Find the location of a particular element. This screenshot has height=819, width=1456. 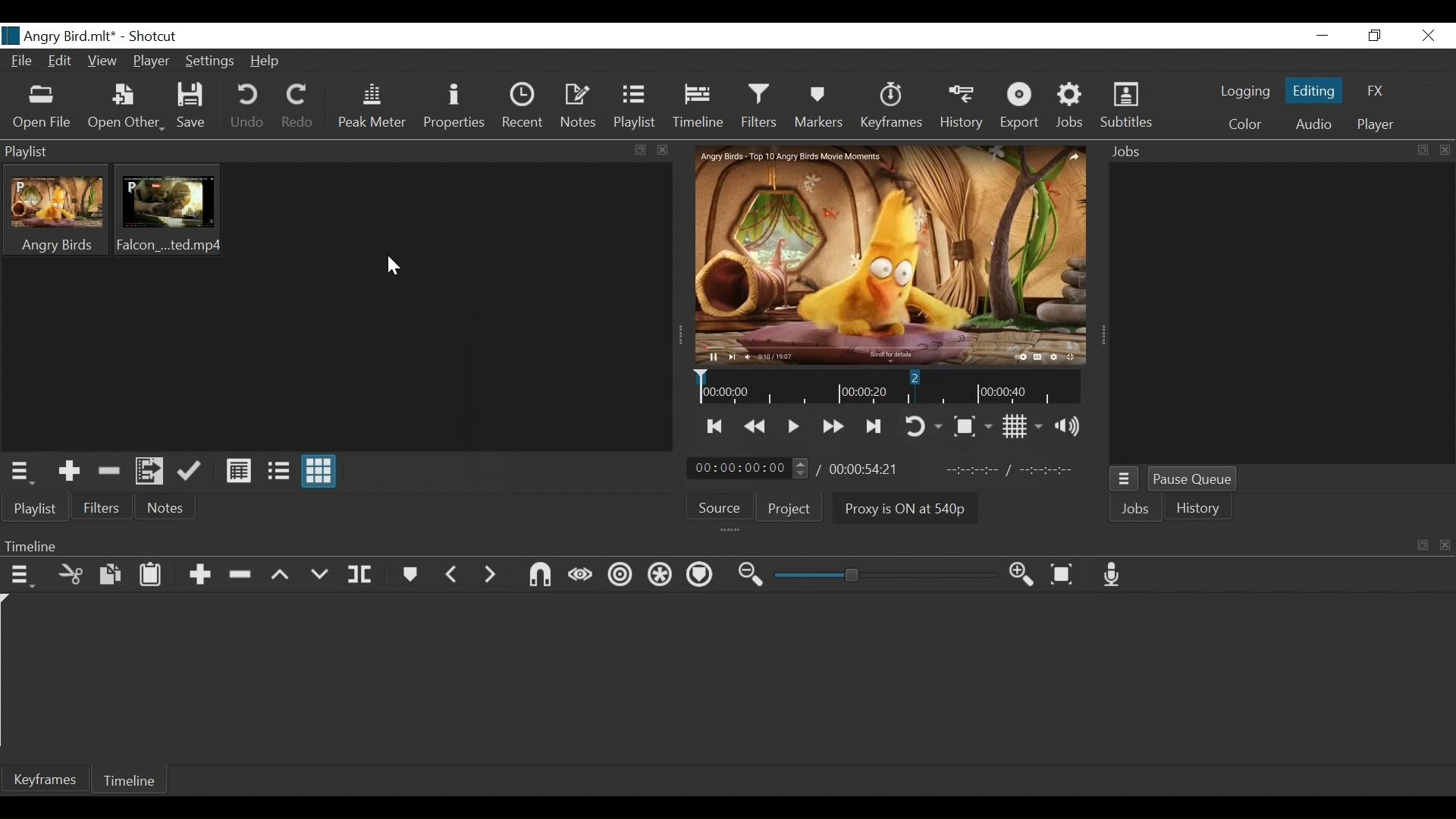

File is located at coordinates (22, 61).